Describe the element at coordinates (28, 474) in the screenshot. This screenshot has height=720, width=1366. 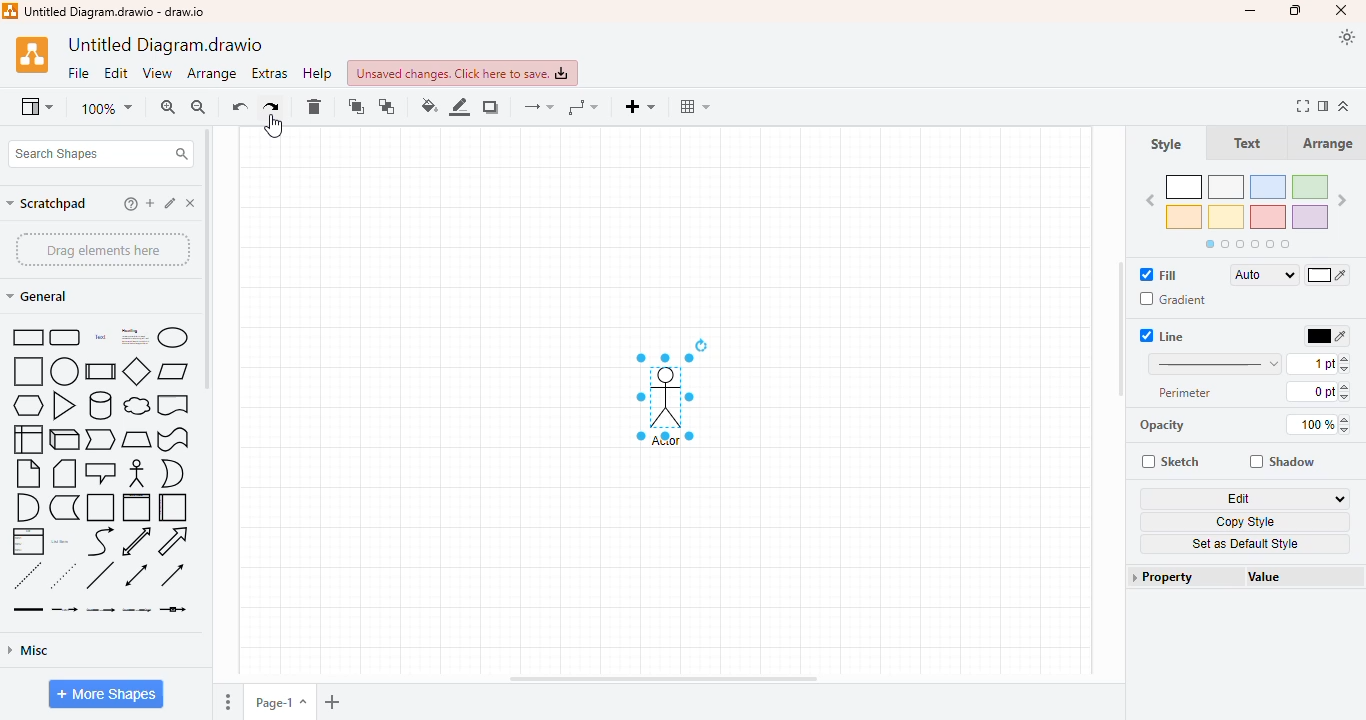
I see `note` at that location.